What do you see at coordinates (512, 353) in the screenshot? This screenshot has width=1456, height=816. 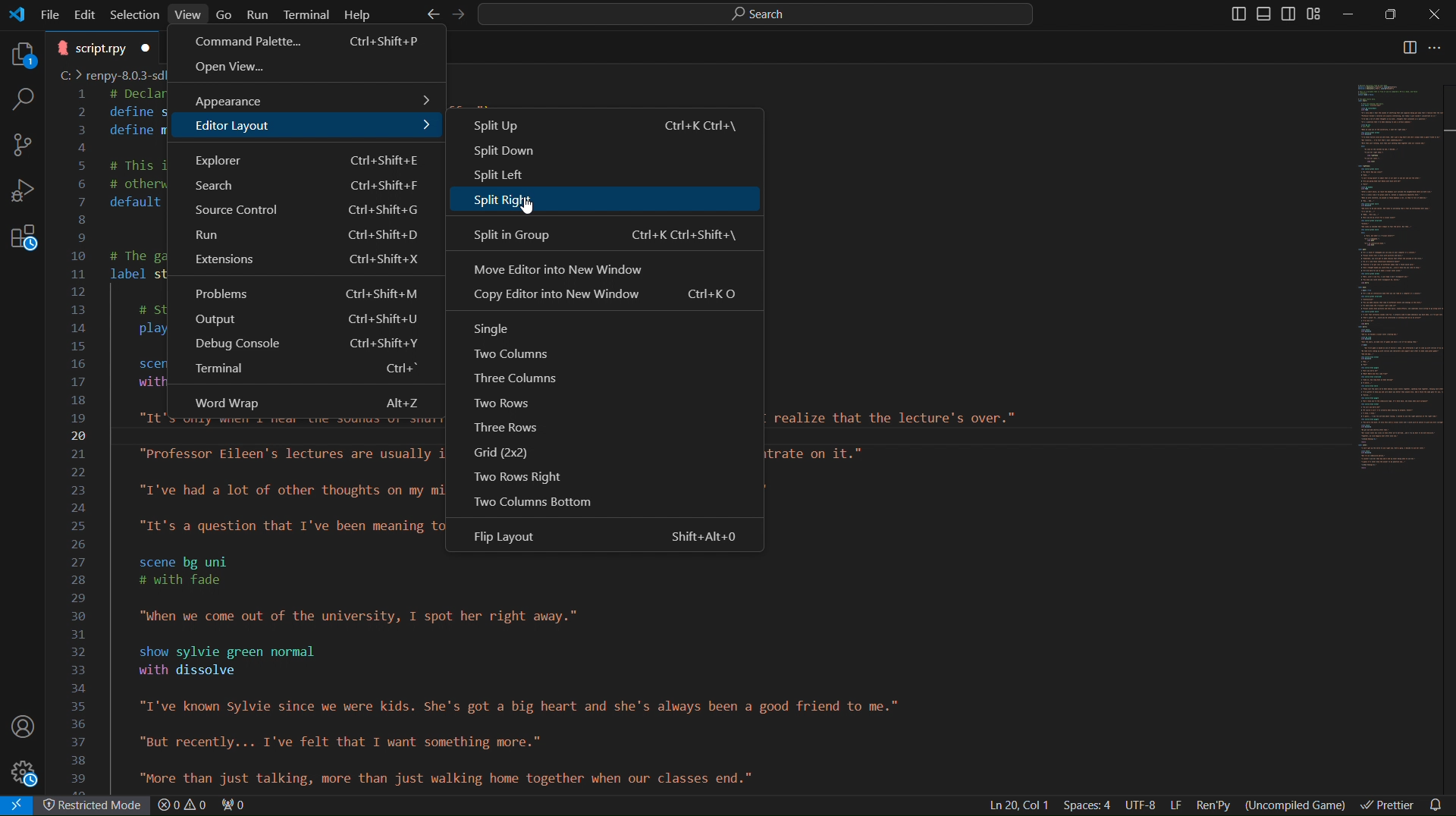 I see `Two Columns` at bounding box center [512, 353].